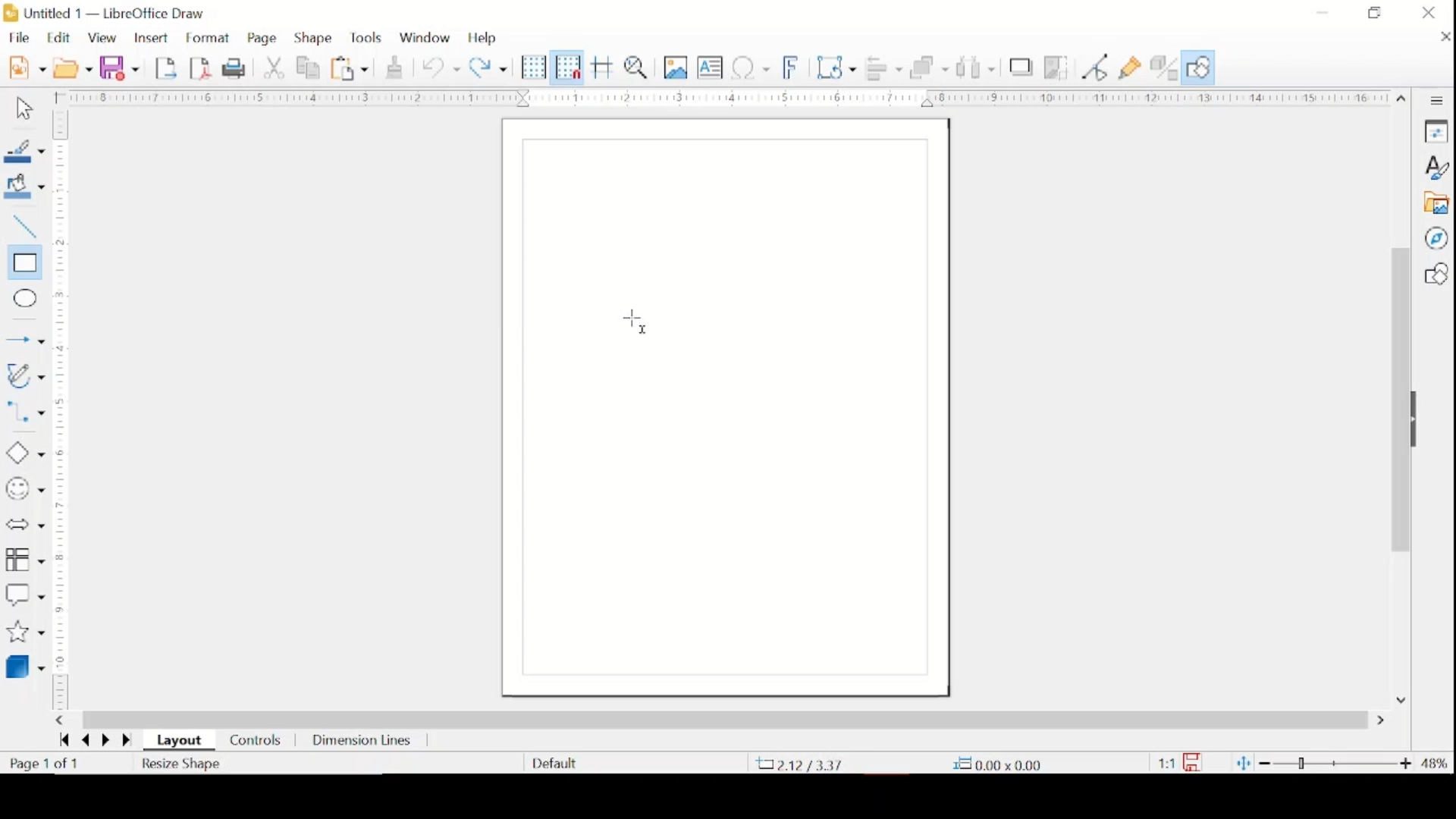 Image resolution: width=1456 pixels, height=819 pixels. I want to click on insert image, so click(677, 67).